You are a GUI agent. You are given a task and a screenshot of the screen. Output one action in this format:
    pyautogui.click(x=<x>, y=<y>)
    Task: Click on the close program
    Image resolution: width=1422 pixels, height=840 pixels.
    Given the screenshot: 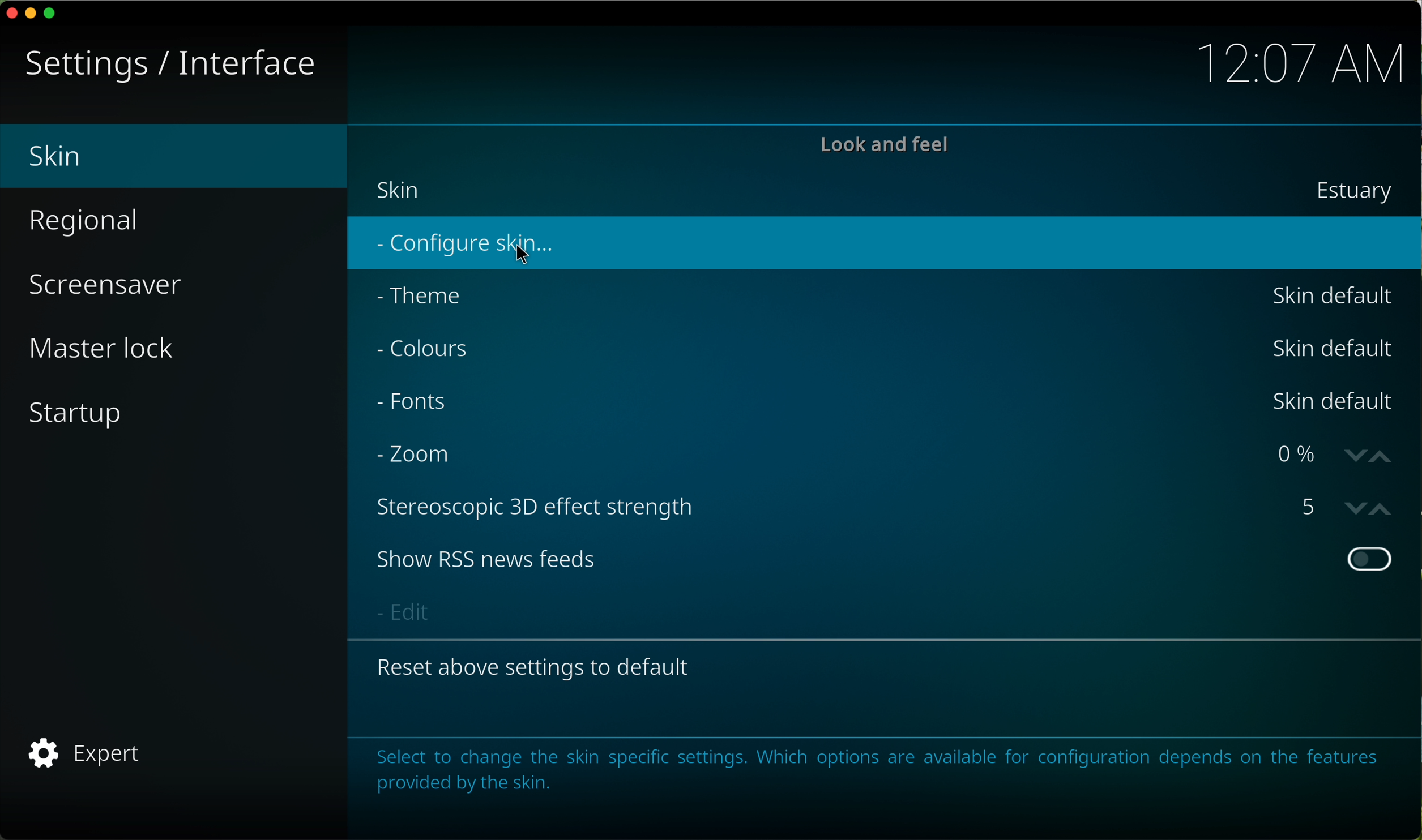 What is the action you would take?
    pyautogui.click(x=10, y=15)
    